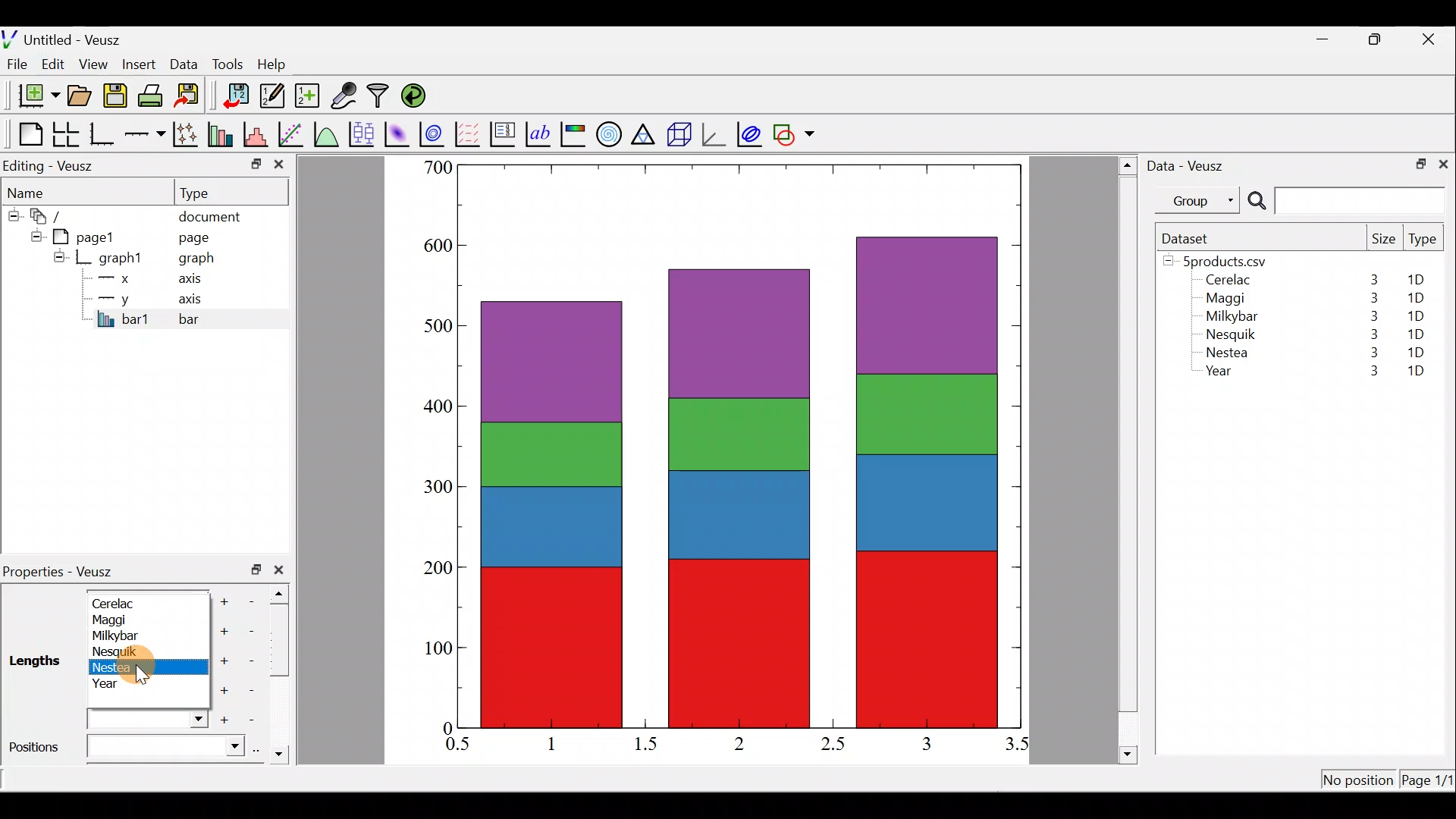 The width and height of the screenshot is (1456, 819). Describe the element at coordinates (195, 281) in the screenshot. I see `axis` at that location.